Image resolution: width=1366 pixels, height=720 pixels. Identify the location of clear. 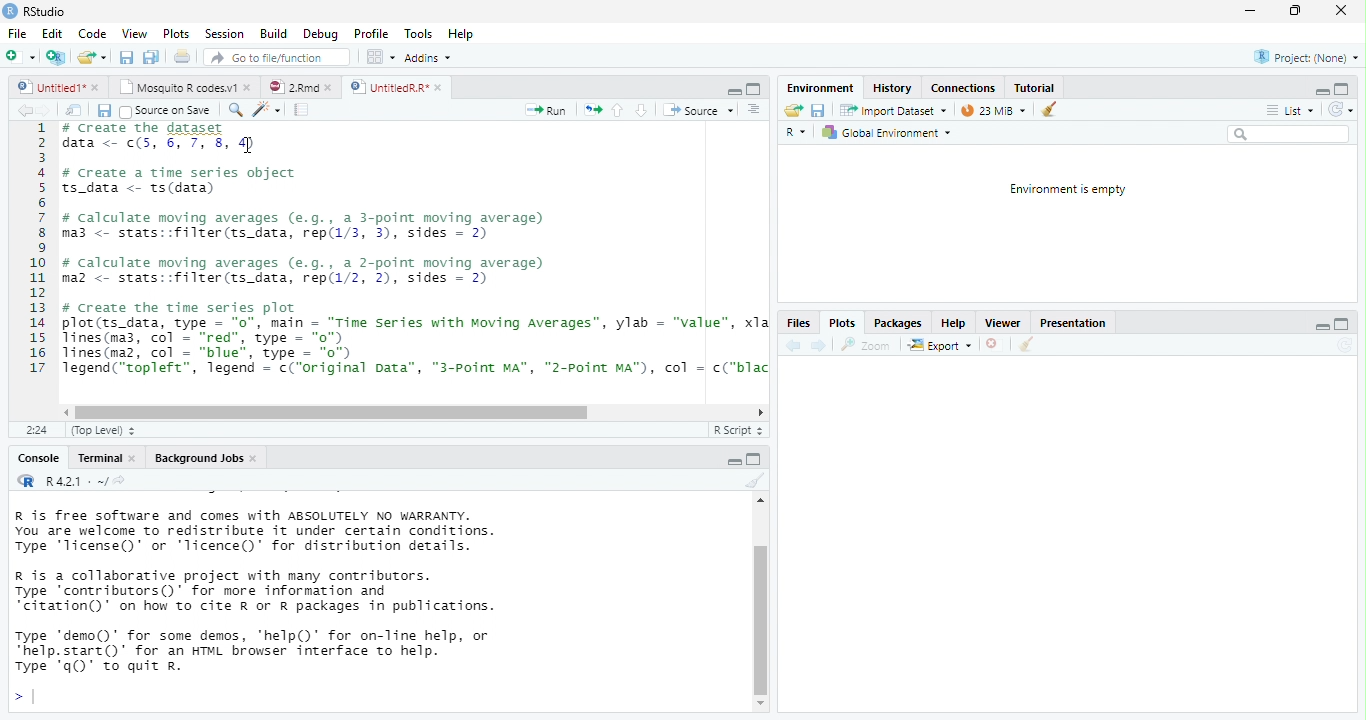
(753, 481).